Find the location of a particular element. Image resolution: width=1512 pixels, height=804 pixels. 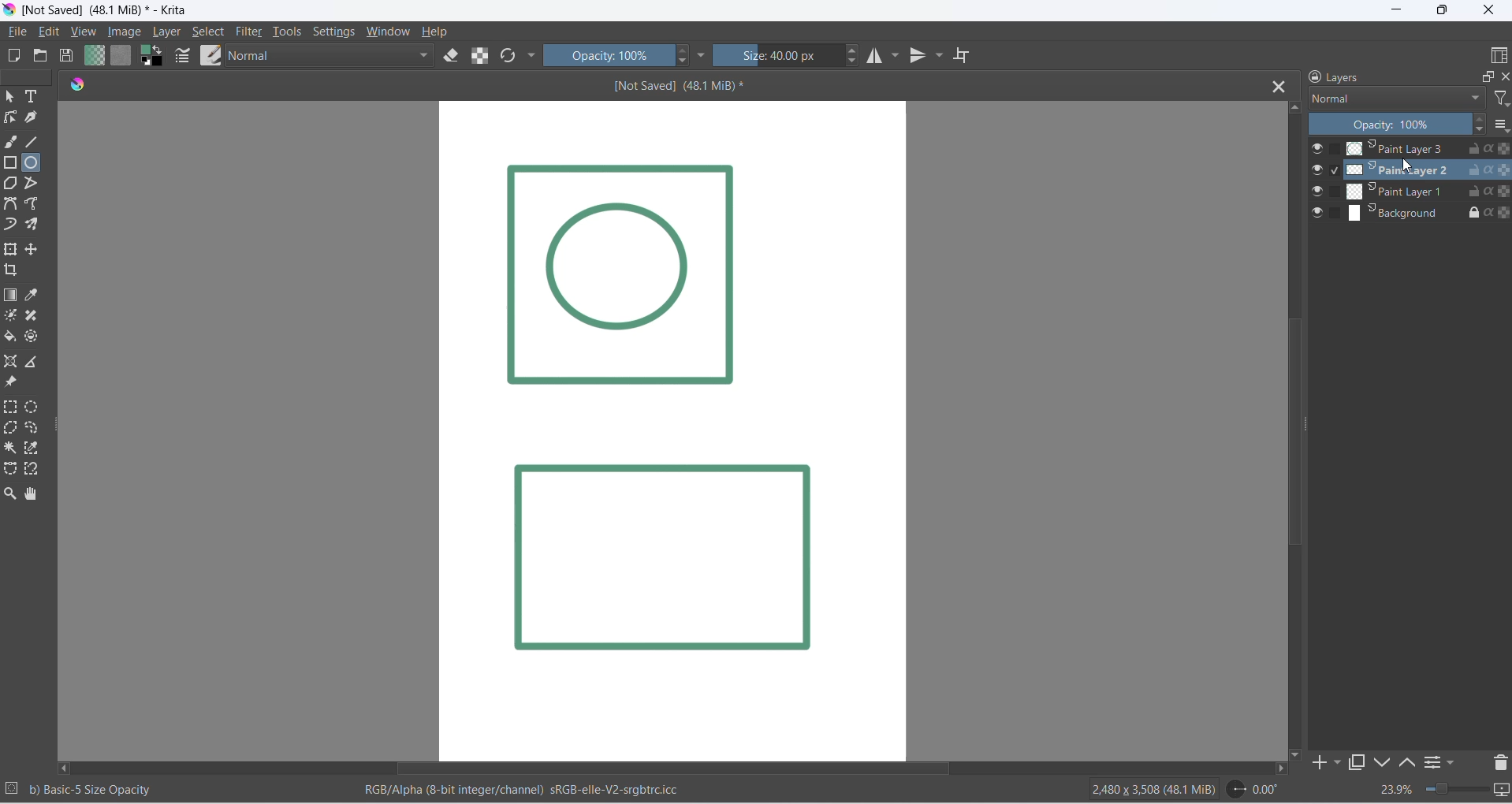

filters settings is located at coordinates (1455, 761).